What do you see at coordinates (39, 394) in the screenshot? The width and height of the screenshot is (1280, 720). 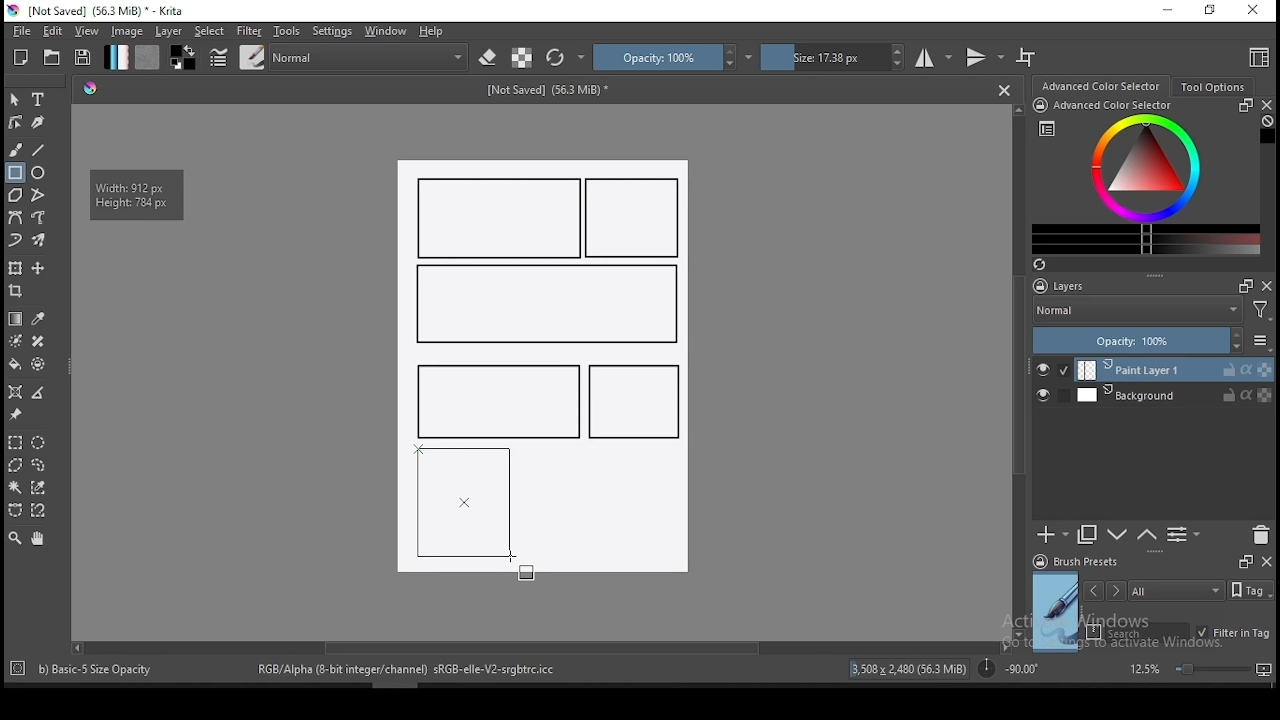 I see `measure distance between two points` at bounding box center [39, 394].